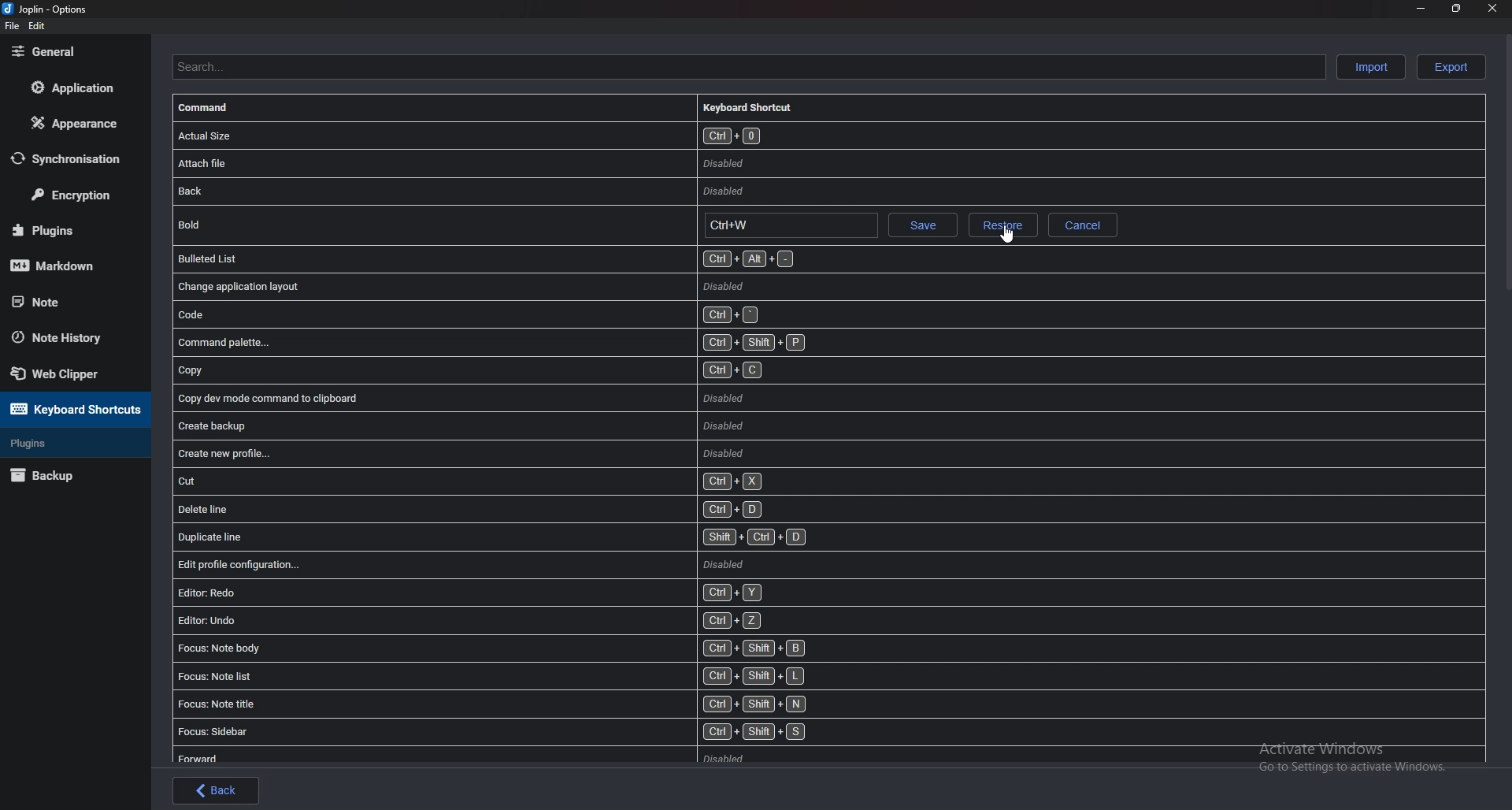 The width and height of the screenshot is (1512, 810). What do you see at coordinates (496, 731) in the screenshot?
I see `Focus sidebar` at bounding box center [496, 731].